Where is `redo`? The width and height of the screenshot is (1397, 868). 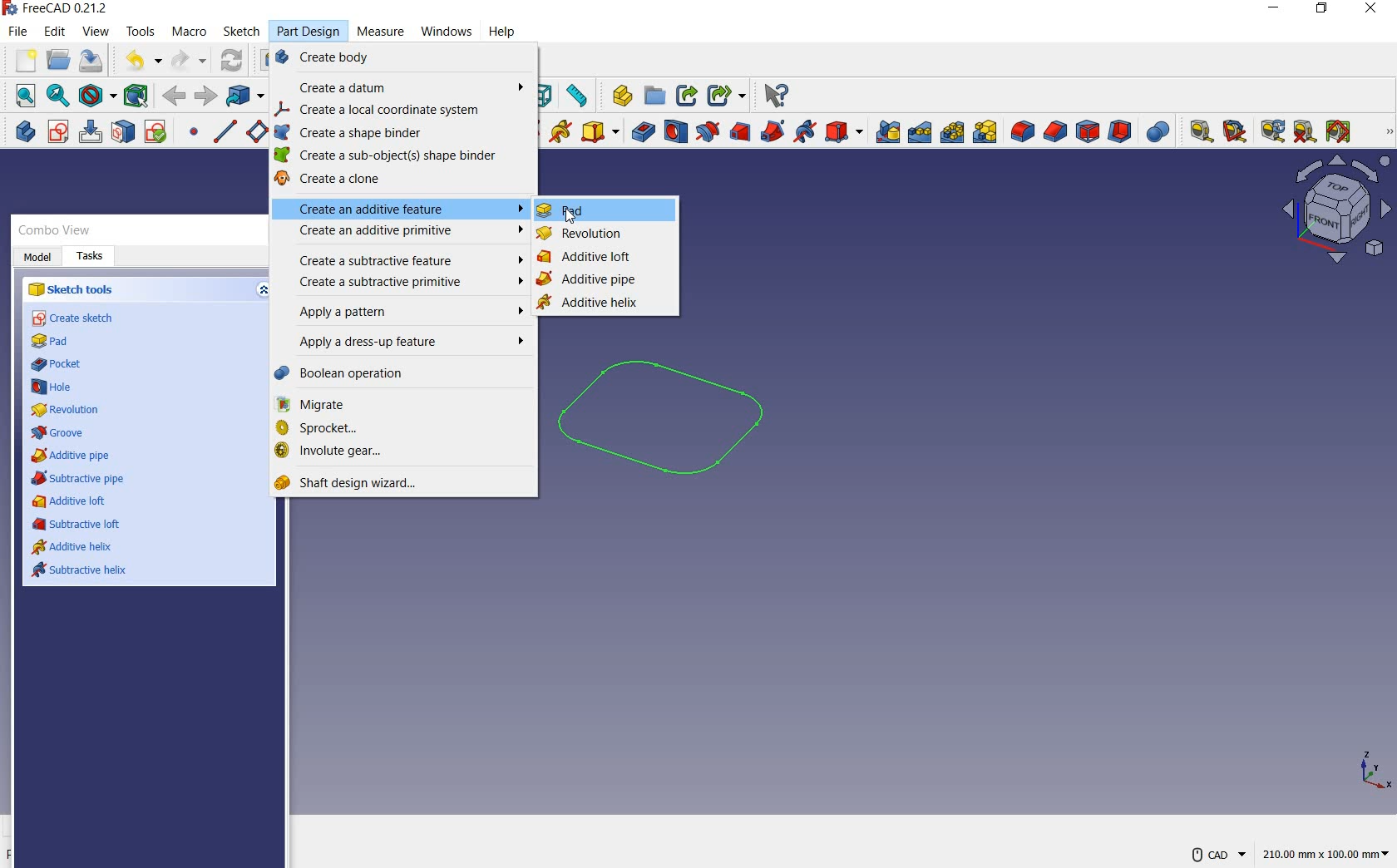
redo is located at coordinates (190, 60).